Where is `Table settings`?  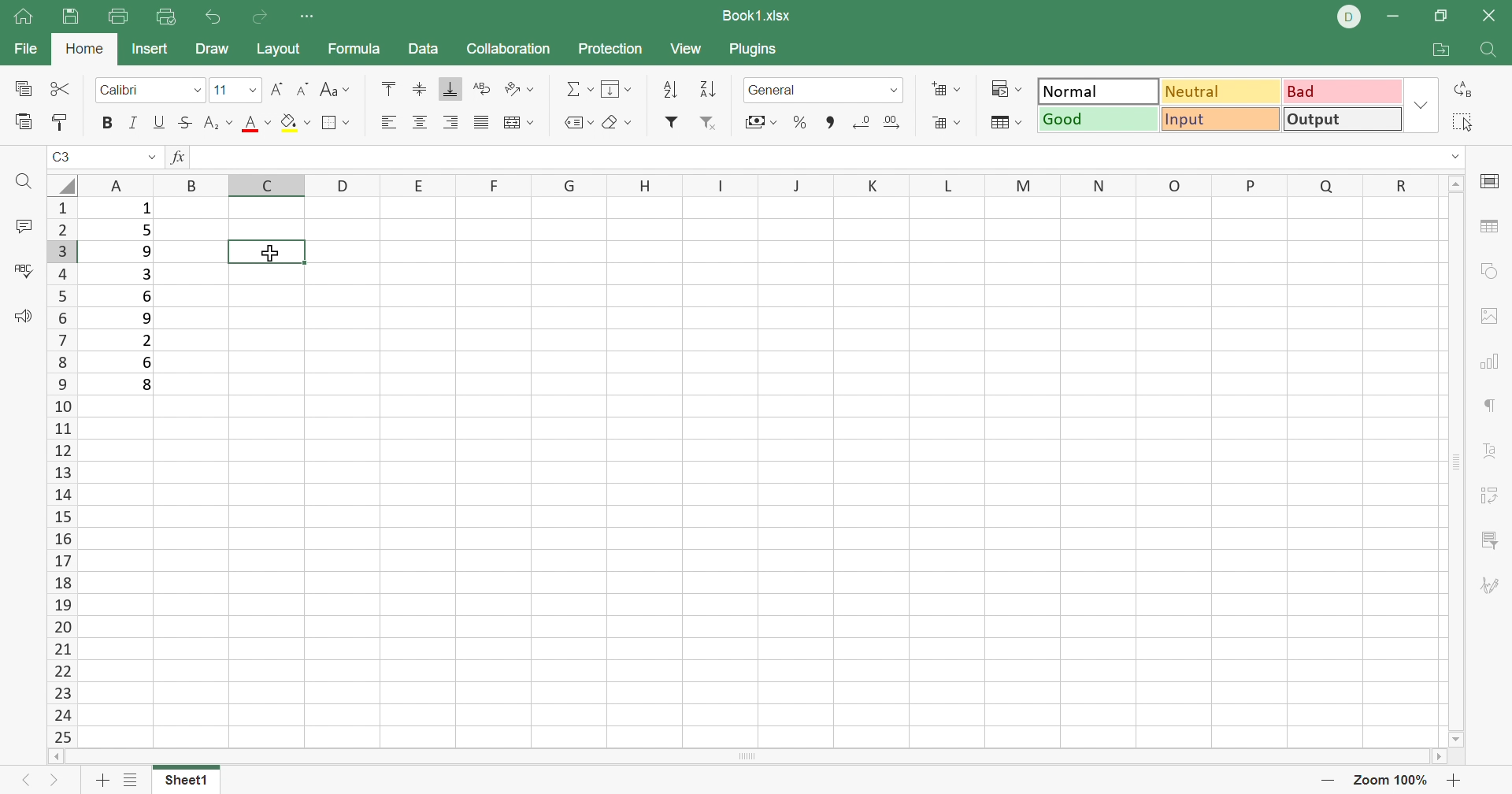
Table settings is located at coordinates (1486, 227).